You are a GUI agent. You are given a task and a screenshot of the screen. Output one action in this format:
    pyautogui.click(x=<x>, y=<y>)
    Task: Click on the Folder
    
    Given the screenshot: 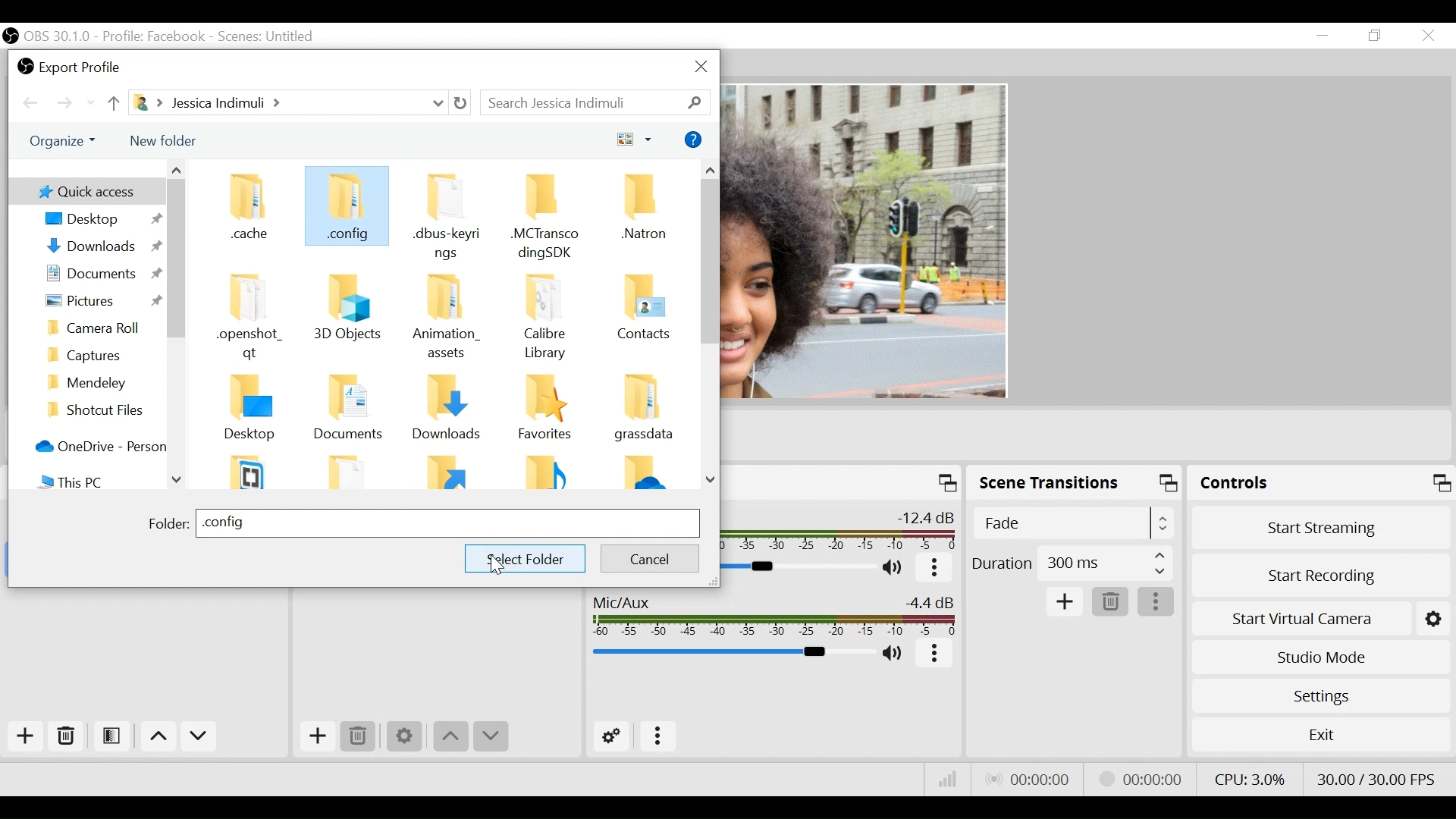 What is the action you would take?
    pyautogui.click(x=447, y=316)
    